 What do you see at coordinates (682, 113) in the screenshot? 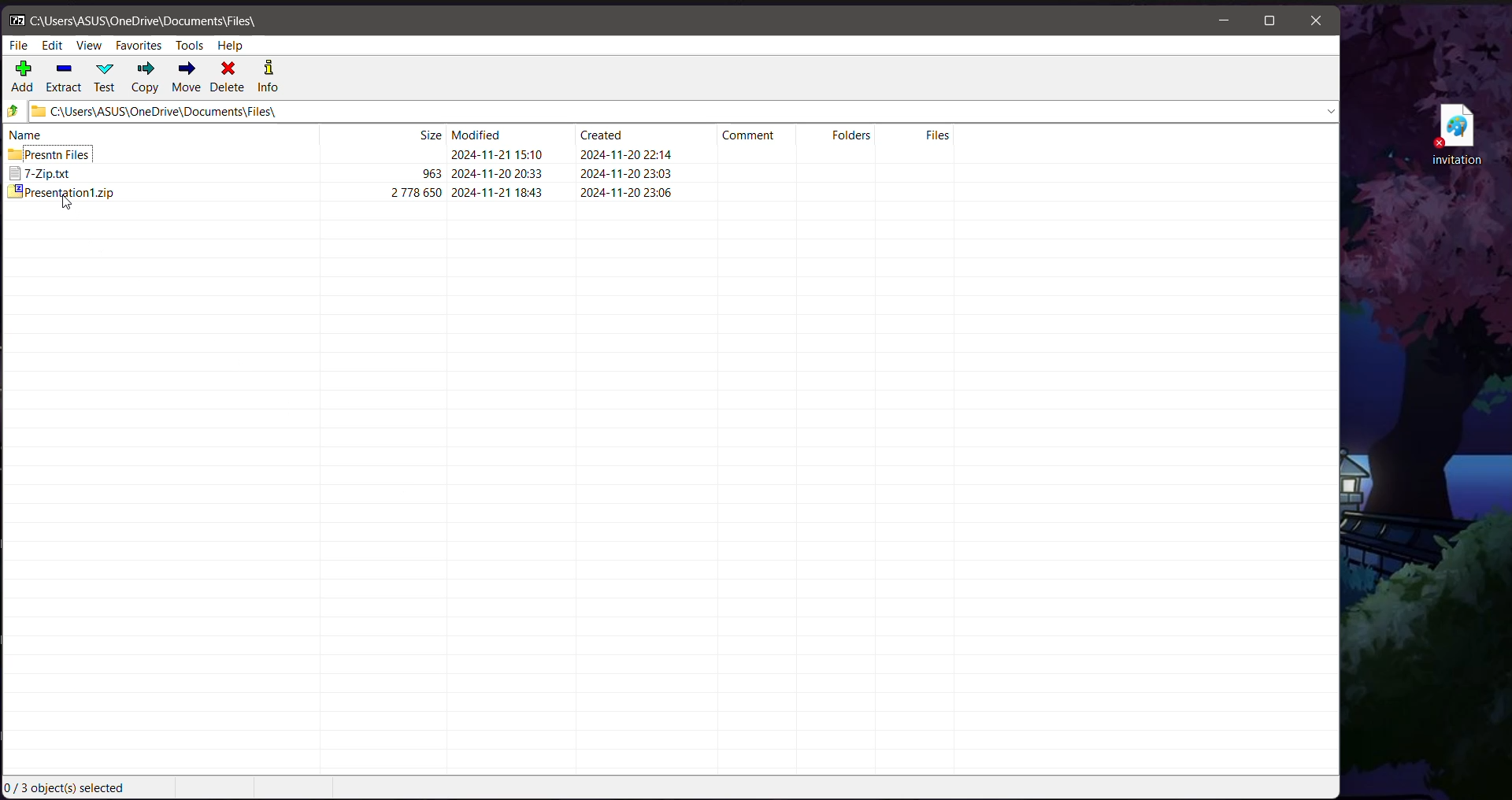
I see `Current Folder Path` at bounding box center [682, 113].